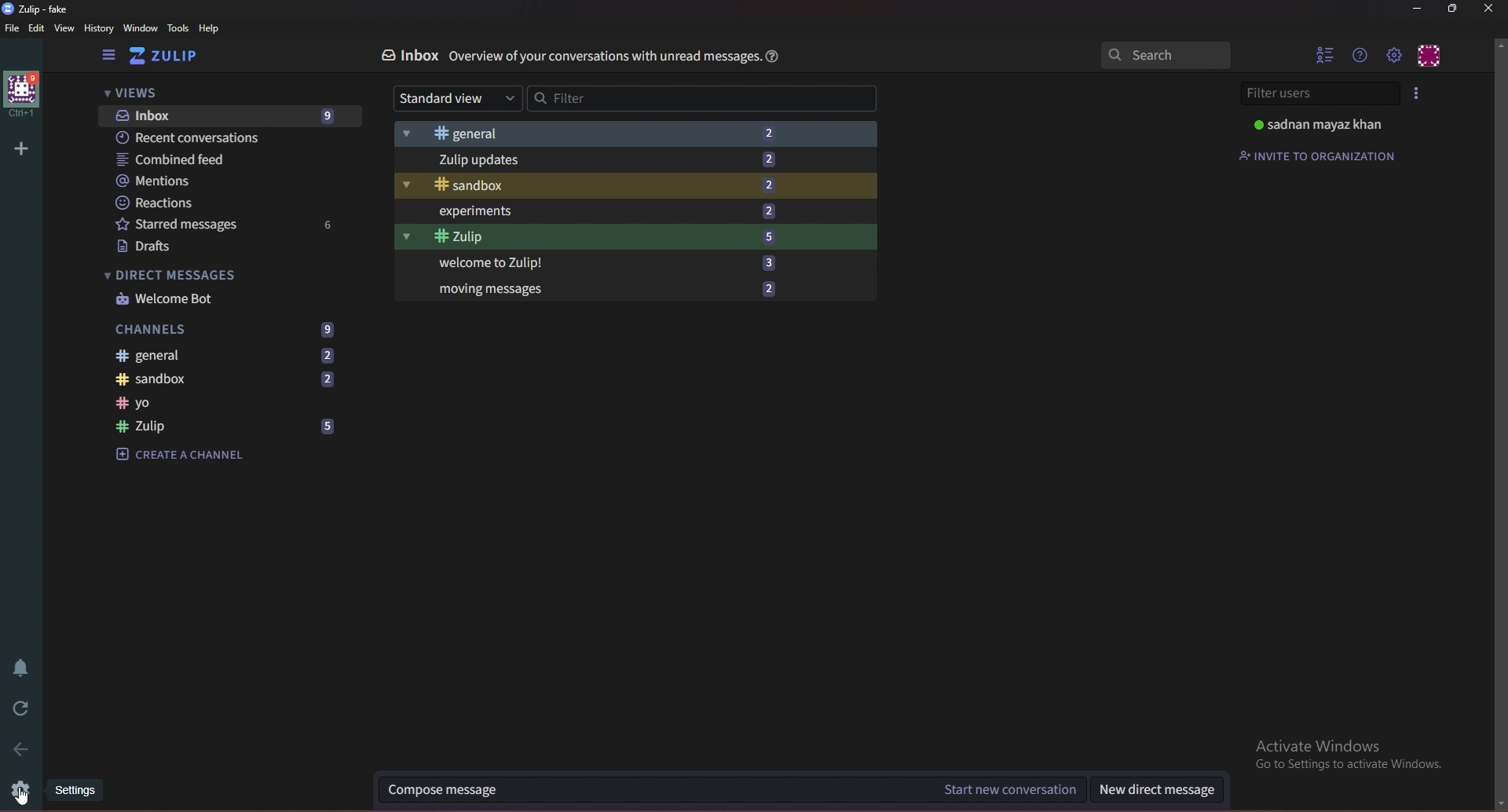  What do you see at coordinates (24, 797) in the screenshot?
I see `cursor` at bounding box center [24, 797].